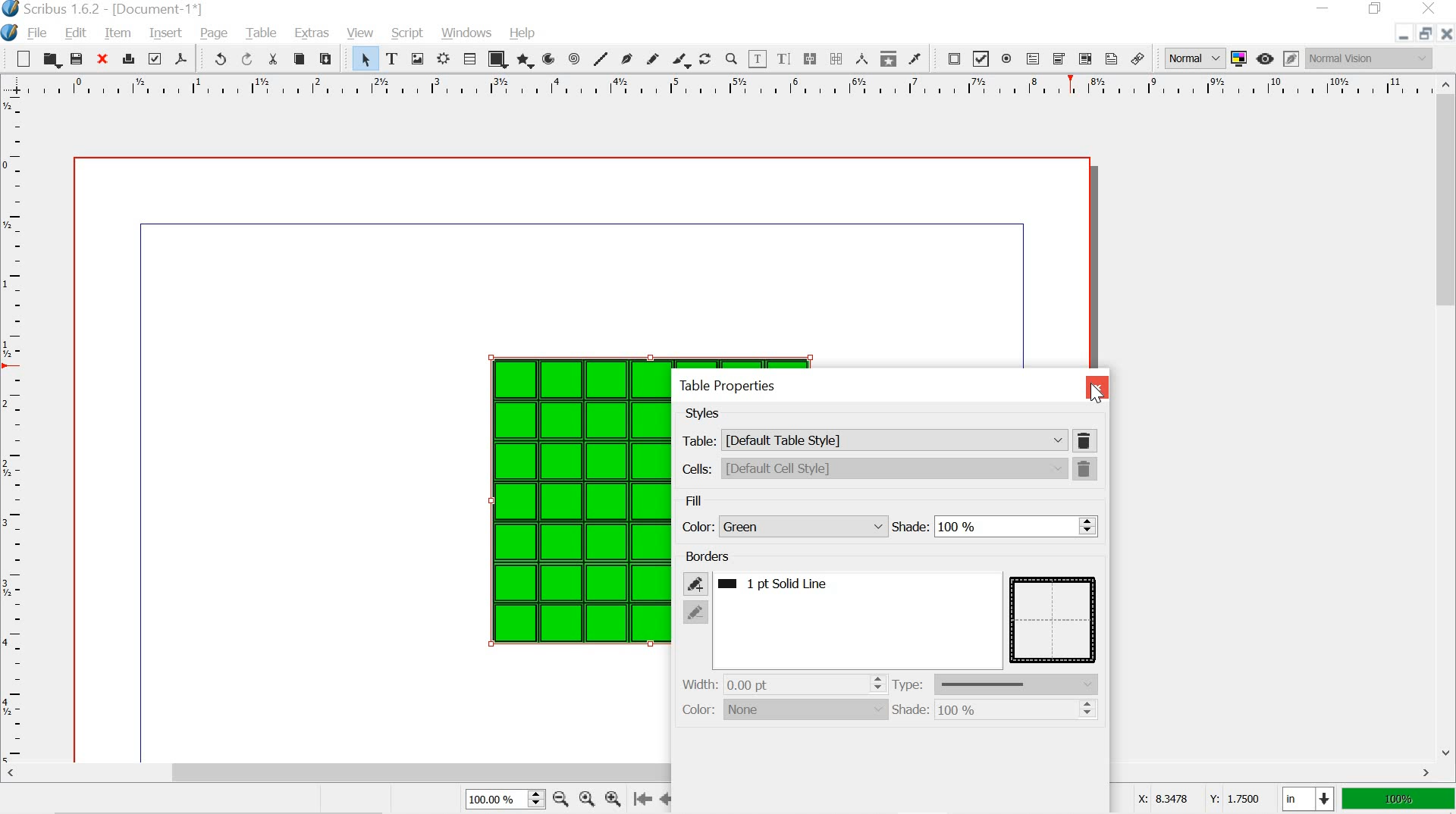  Describe the element at coordinates (500, 59) in the screenshot. I see `shape` at that location.